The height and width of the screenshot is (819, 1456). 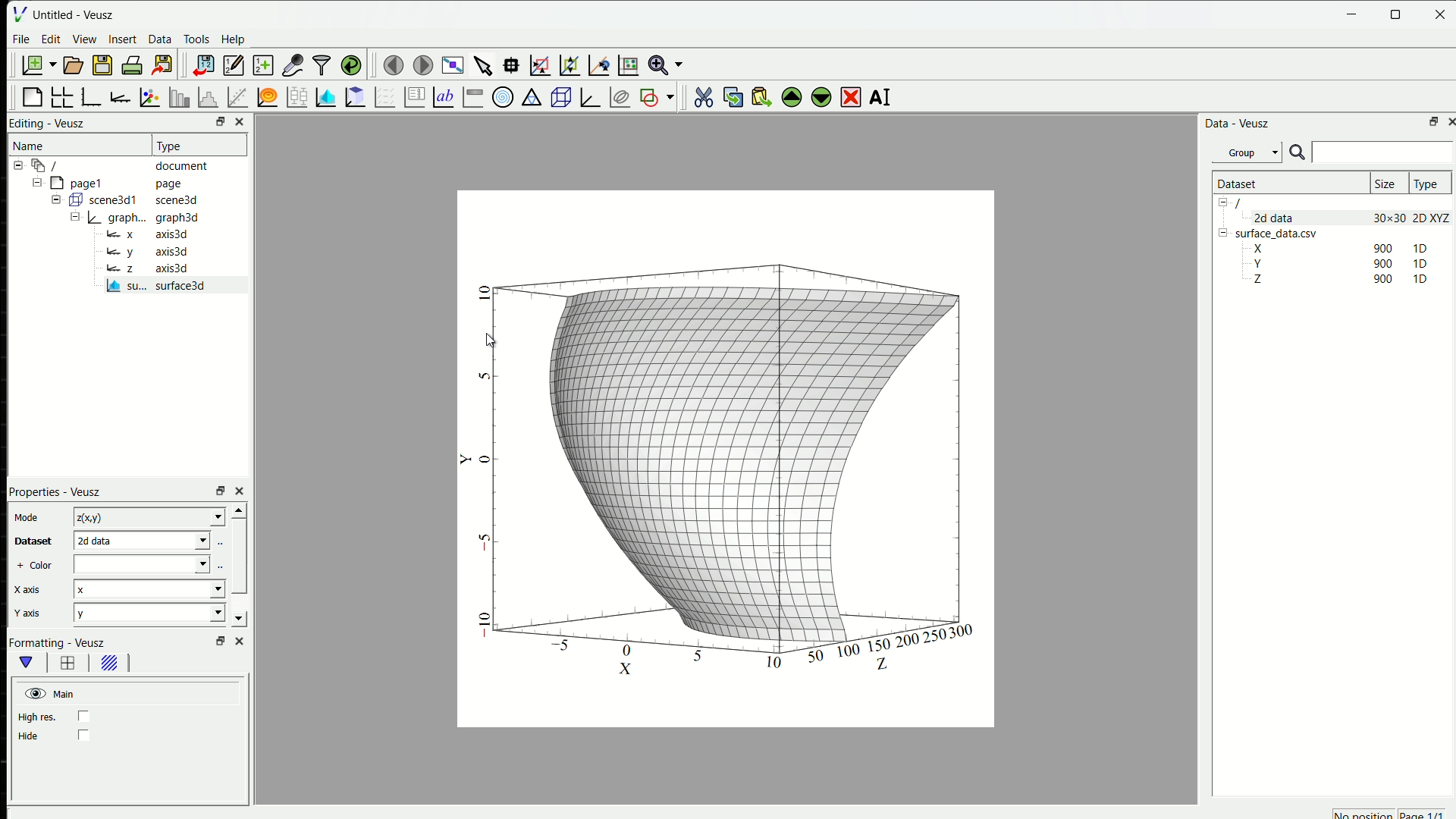 I want to click on Help, so click(x=234, y=40).